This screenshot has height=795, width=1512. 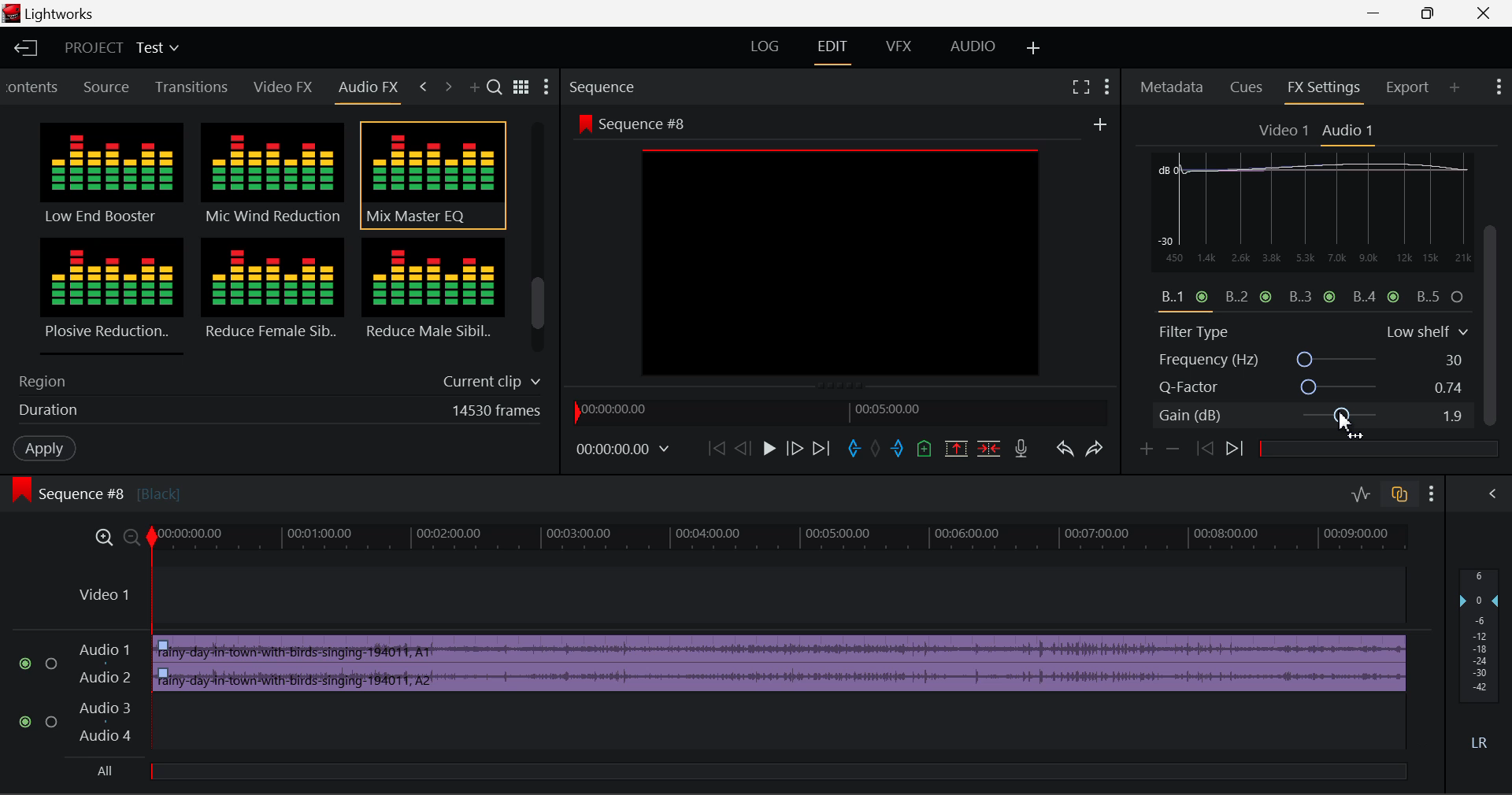 I want to click on Metadata, so click(x=1173, y=89).